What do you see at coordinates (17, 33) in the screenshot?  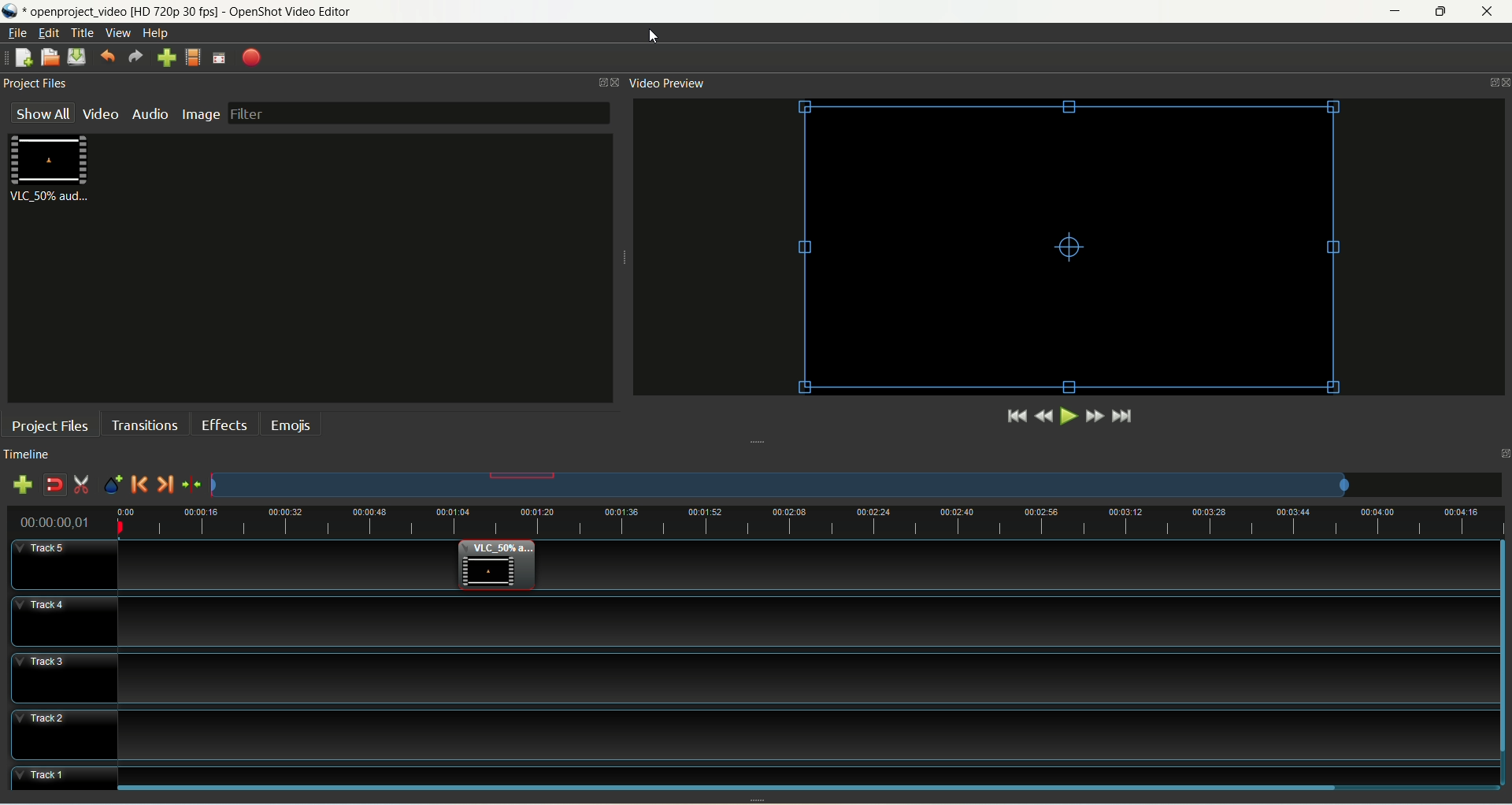 I see `file` at bounding box center [17, 33].